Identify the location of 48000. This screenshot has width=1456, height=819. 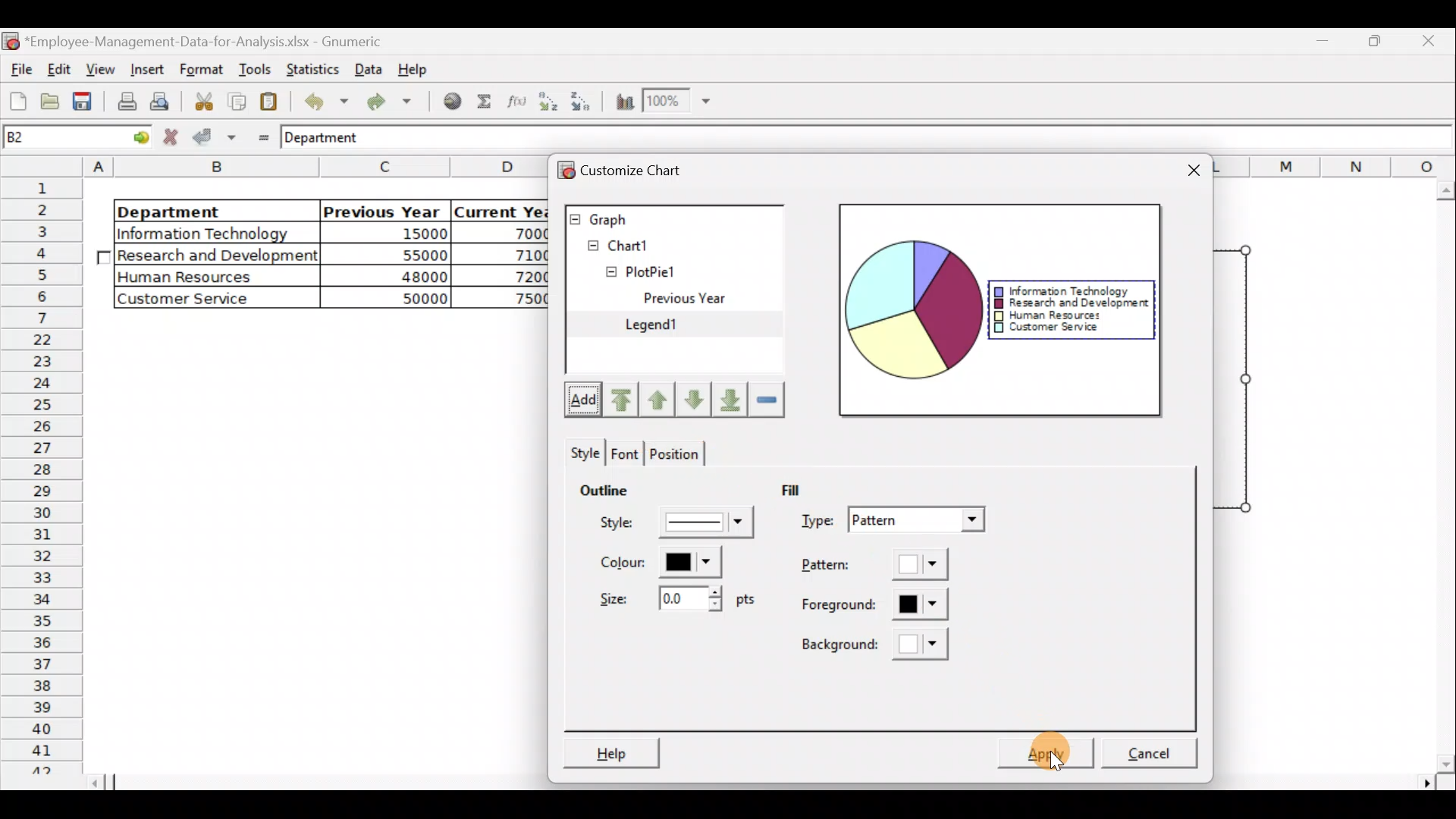
(399, 278).